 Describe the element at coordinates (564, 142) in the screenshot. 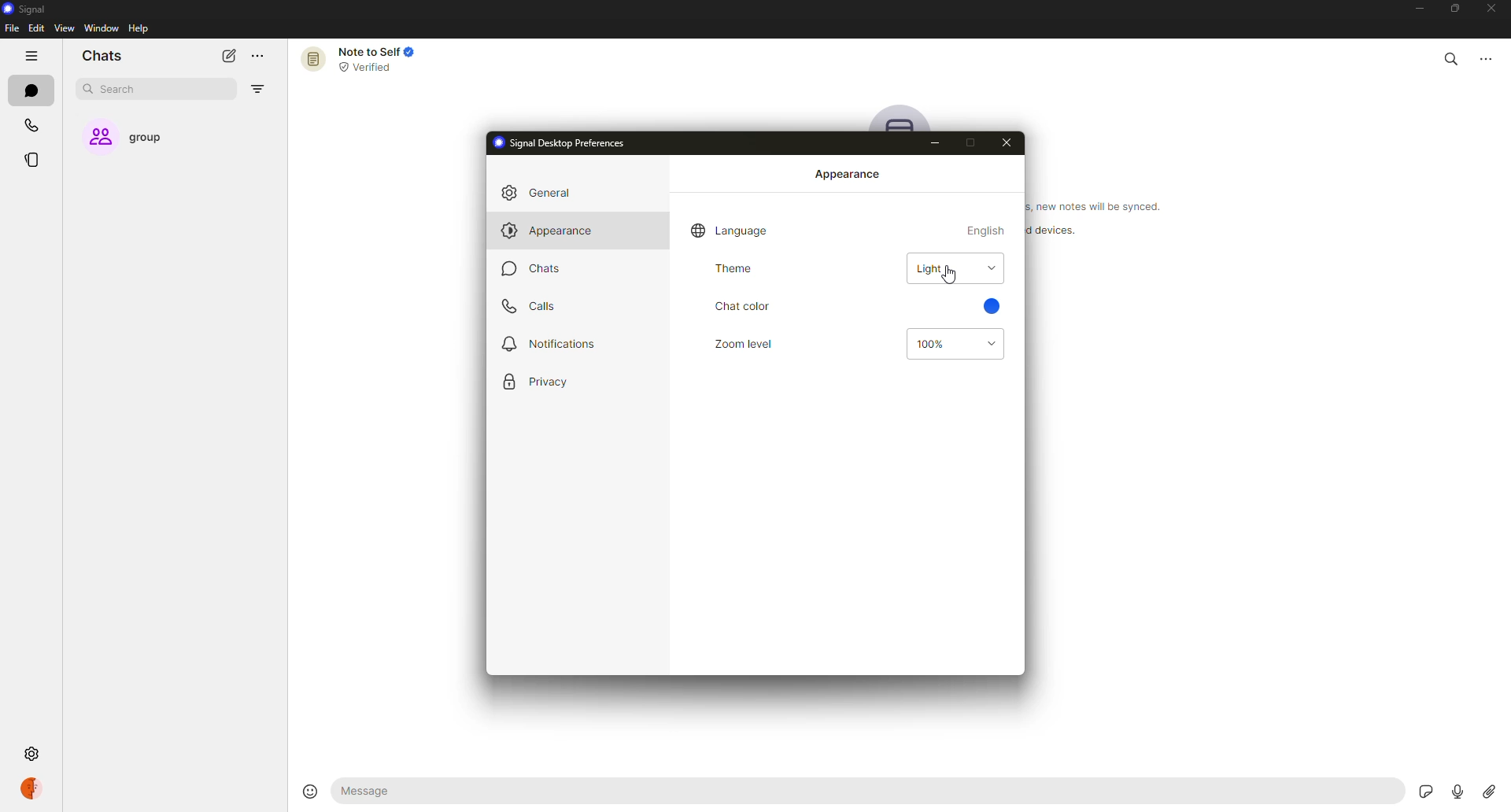

I see `desktop preferences` at that location.